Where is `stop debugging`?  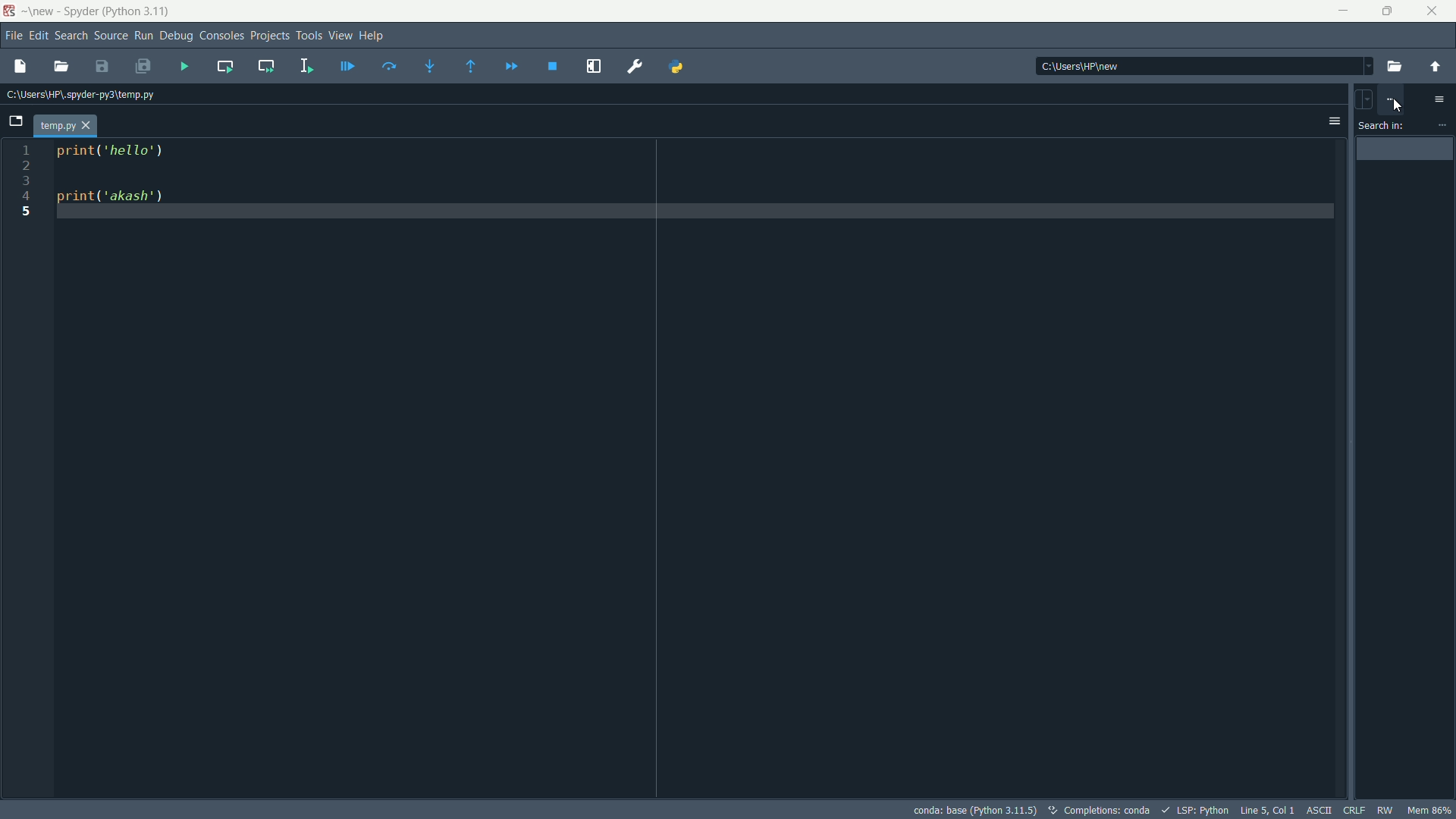
stop debugging is located at coordinates (552, 66).